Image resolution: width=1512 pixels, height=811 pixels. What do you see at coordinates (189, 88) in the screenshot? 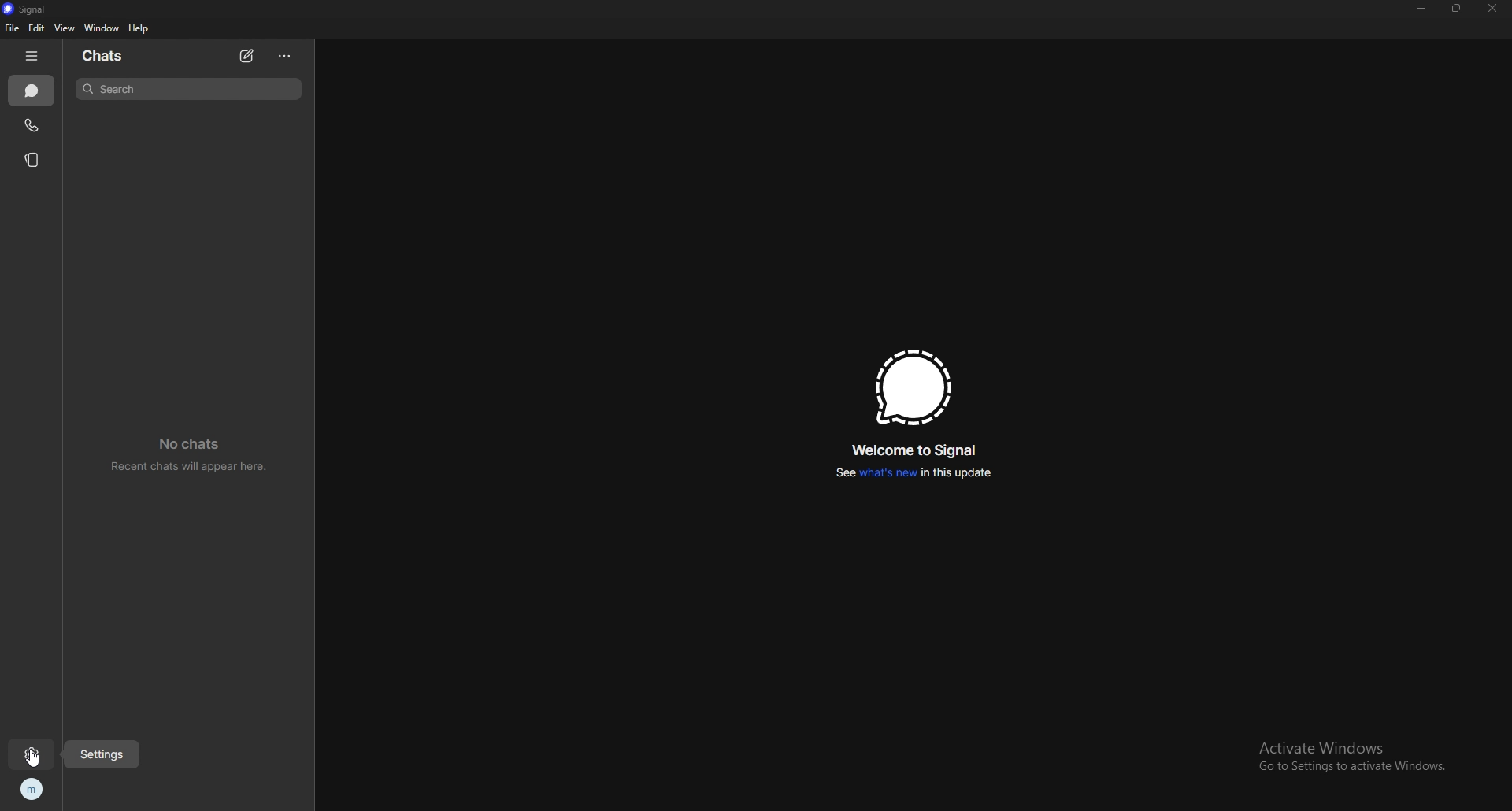
I see `search` at bounding box center [189, 88].